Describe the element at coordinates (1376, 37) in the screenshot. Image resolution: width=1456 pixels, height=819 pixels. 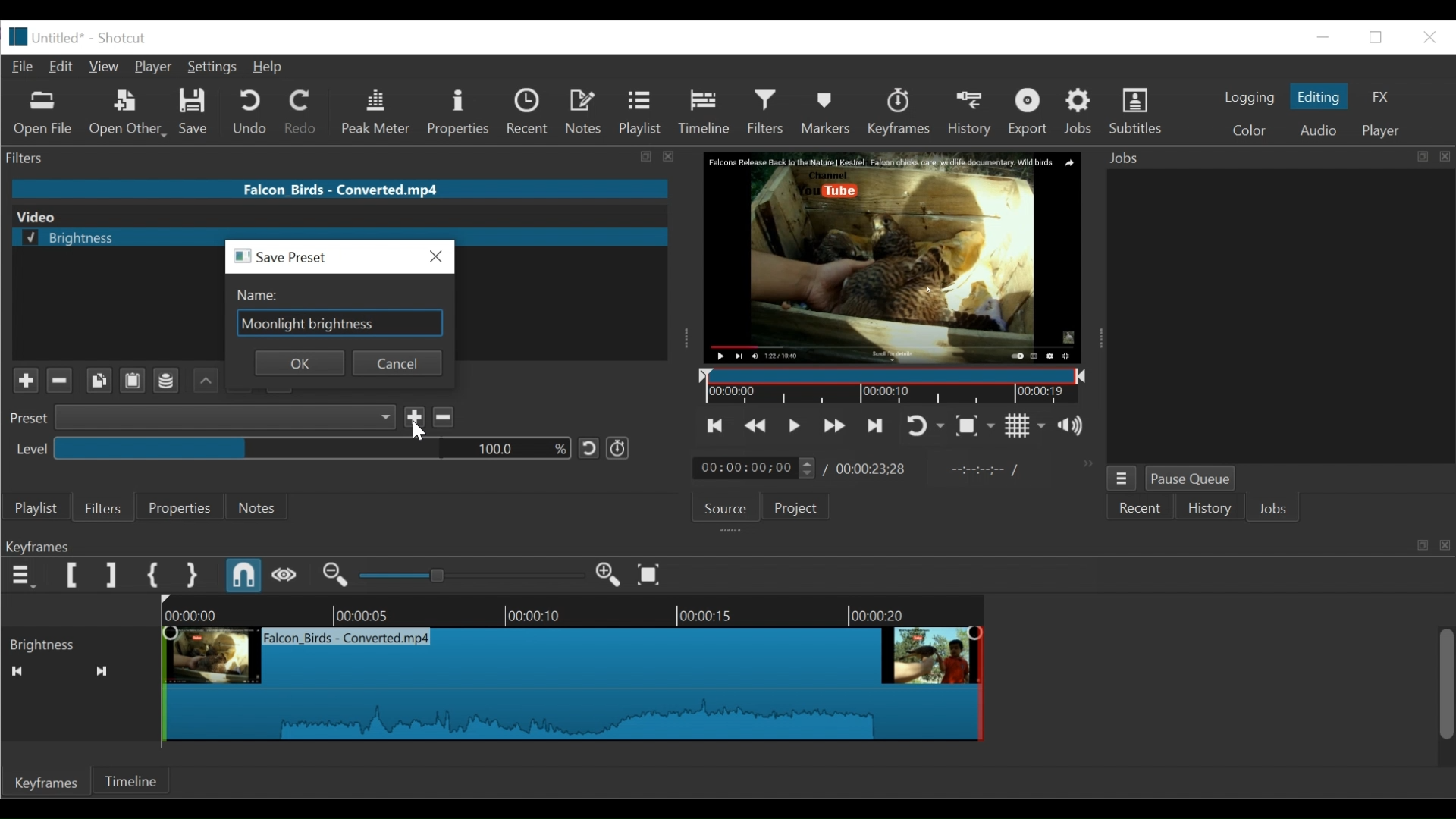
I see `minimize` at that location.